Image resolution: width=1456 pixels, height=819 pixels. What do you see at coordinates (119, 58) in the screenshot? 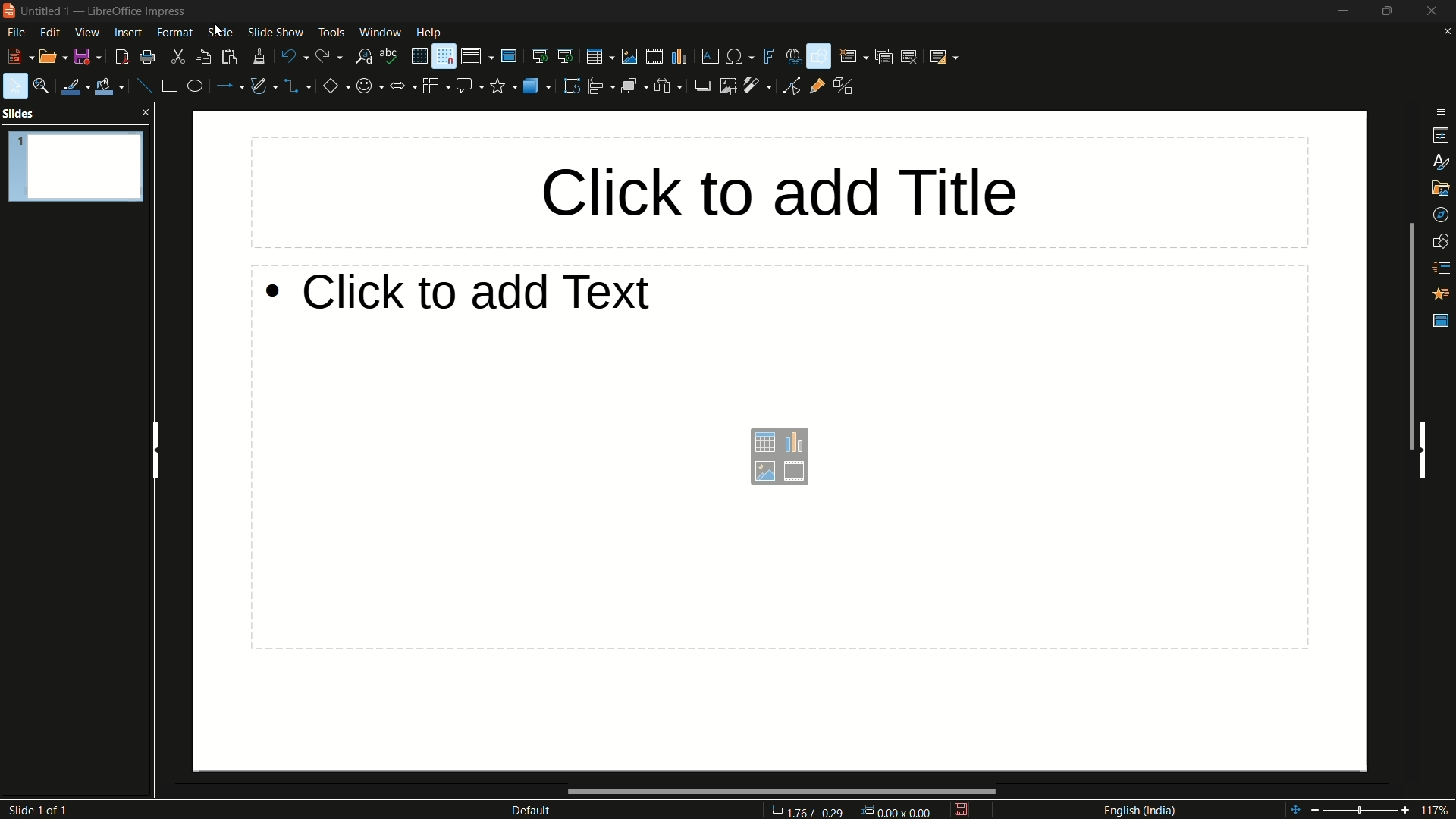
I see `export directly as pdf` at bounding box center [119, 58].